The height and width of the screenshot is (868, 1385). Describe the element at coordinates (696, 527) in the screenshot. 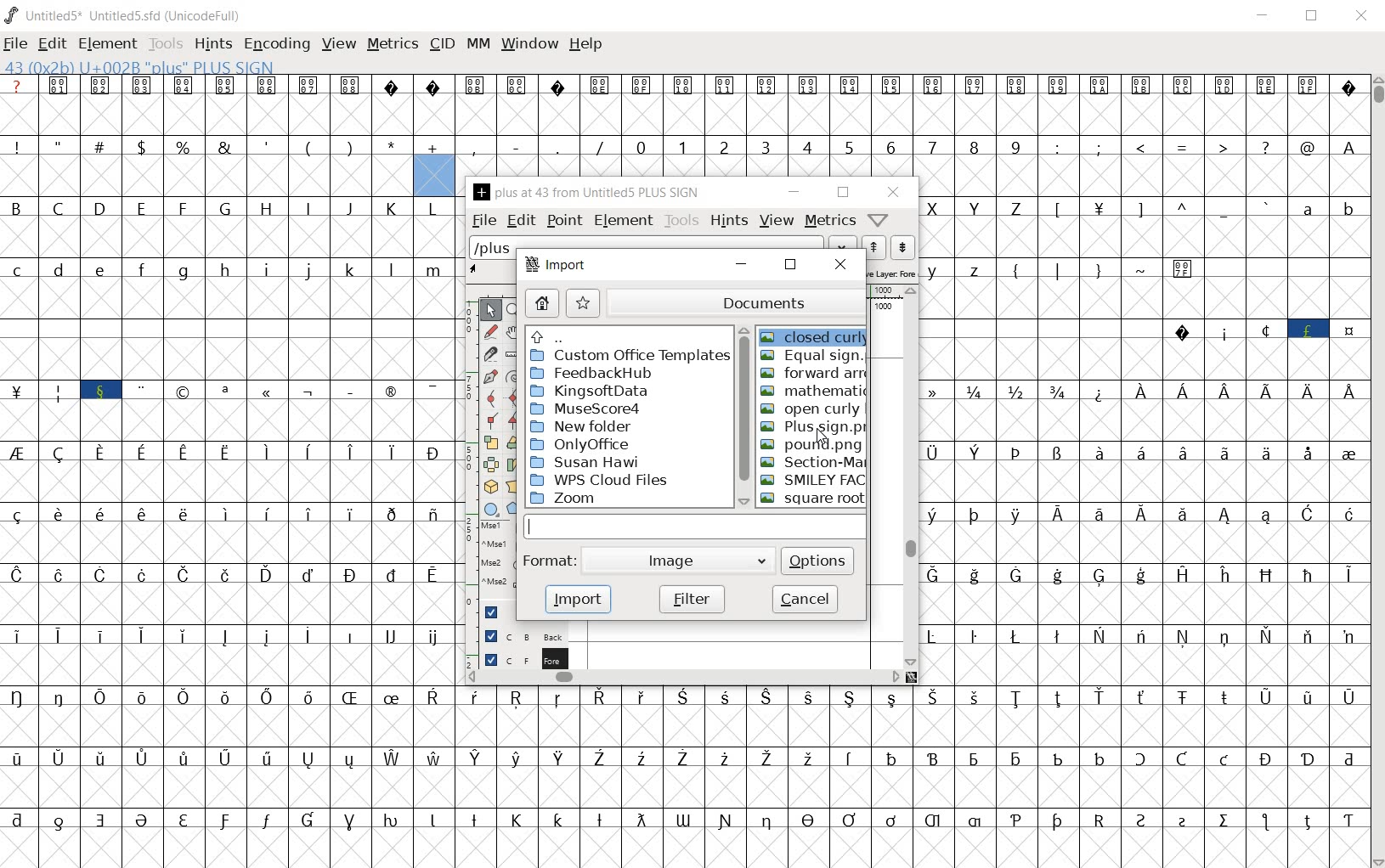

I see `input file` at that location.